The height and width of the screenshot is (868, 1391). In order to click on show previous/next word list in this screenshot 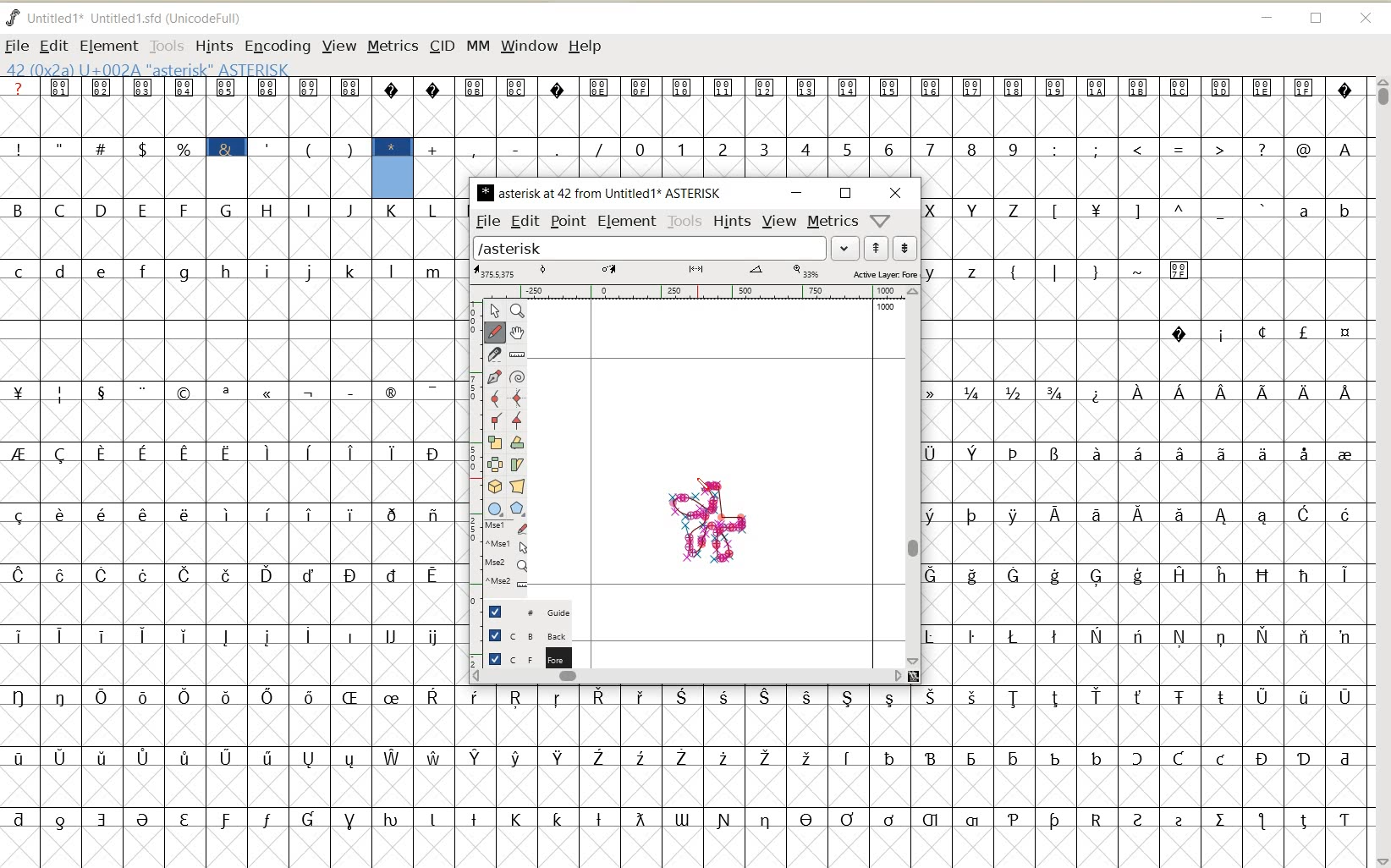, I will do `click(890, 247)`.